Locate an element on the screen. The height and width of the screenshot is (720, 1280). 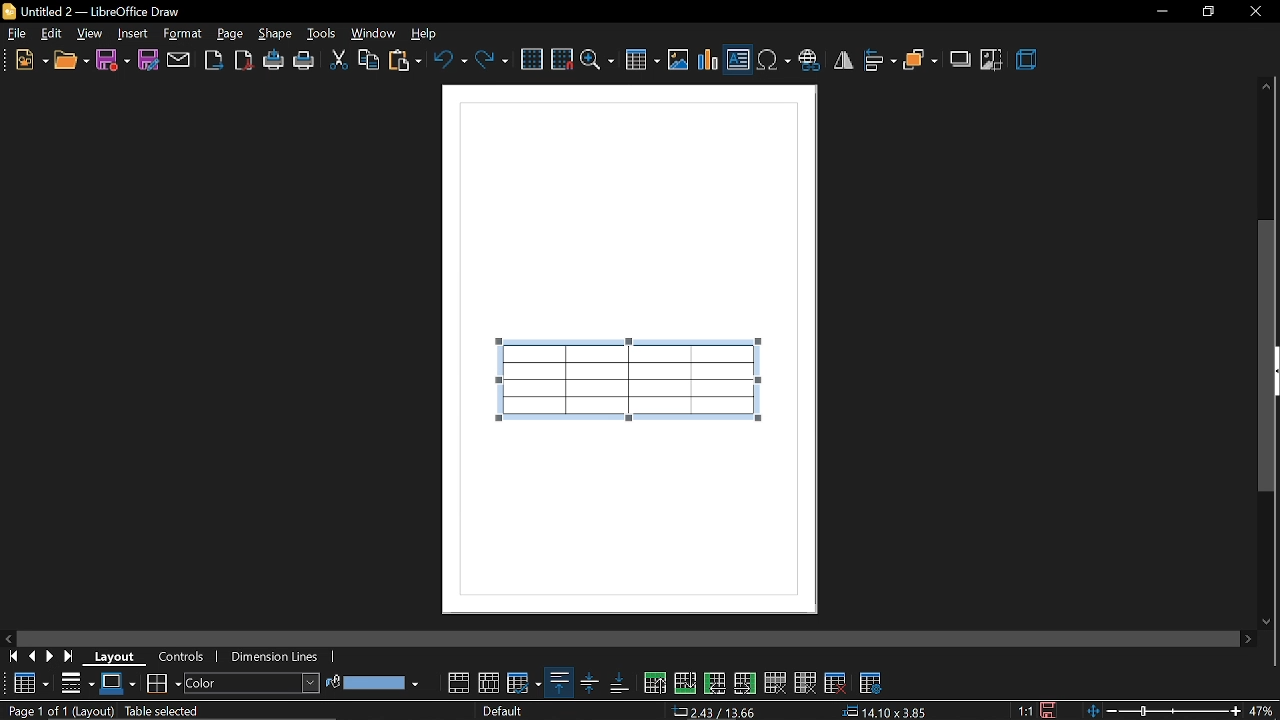
tools is located at coordinates (322, 33).